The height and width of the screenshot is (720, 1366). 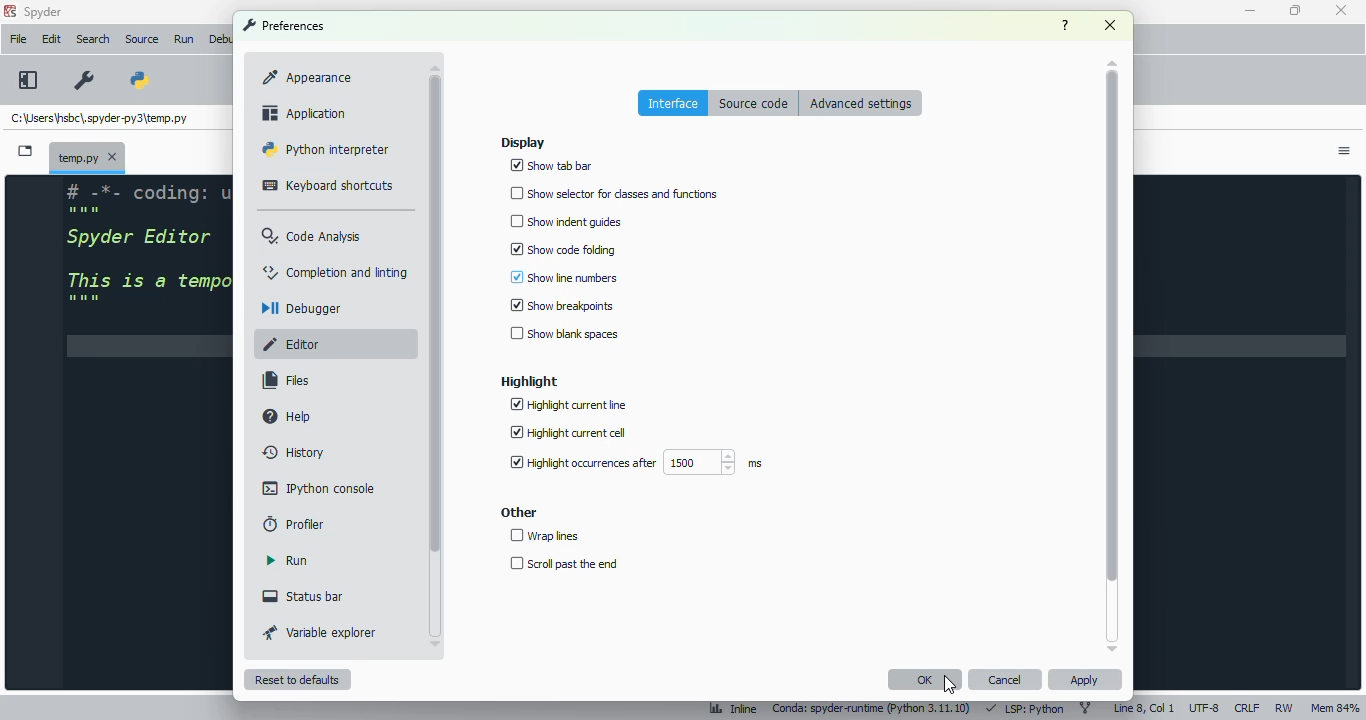 What do you see at coordinates (288, 415) in the screenshot?
I see `help` at bounding box center [288, 415].